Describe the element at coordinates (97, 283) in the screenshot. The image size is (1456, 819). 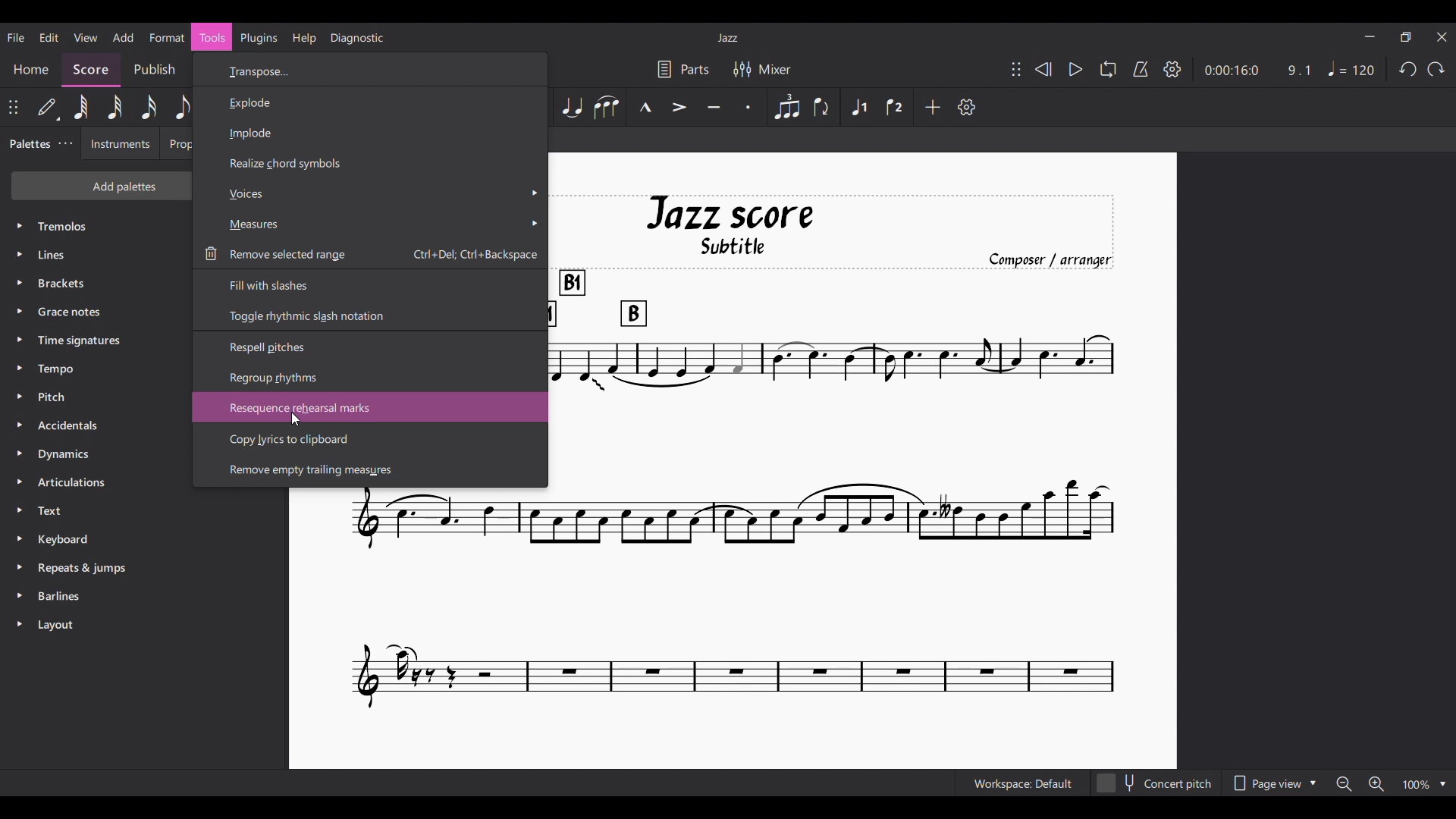
I see `Brackets` at that location.